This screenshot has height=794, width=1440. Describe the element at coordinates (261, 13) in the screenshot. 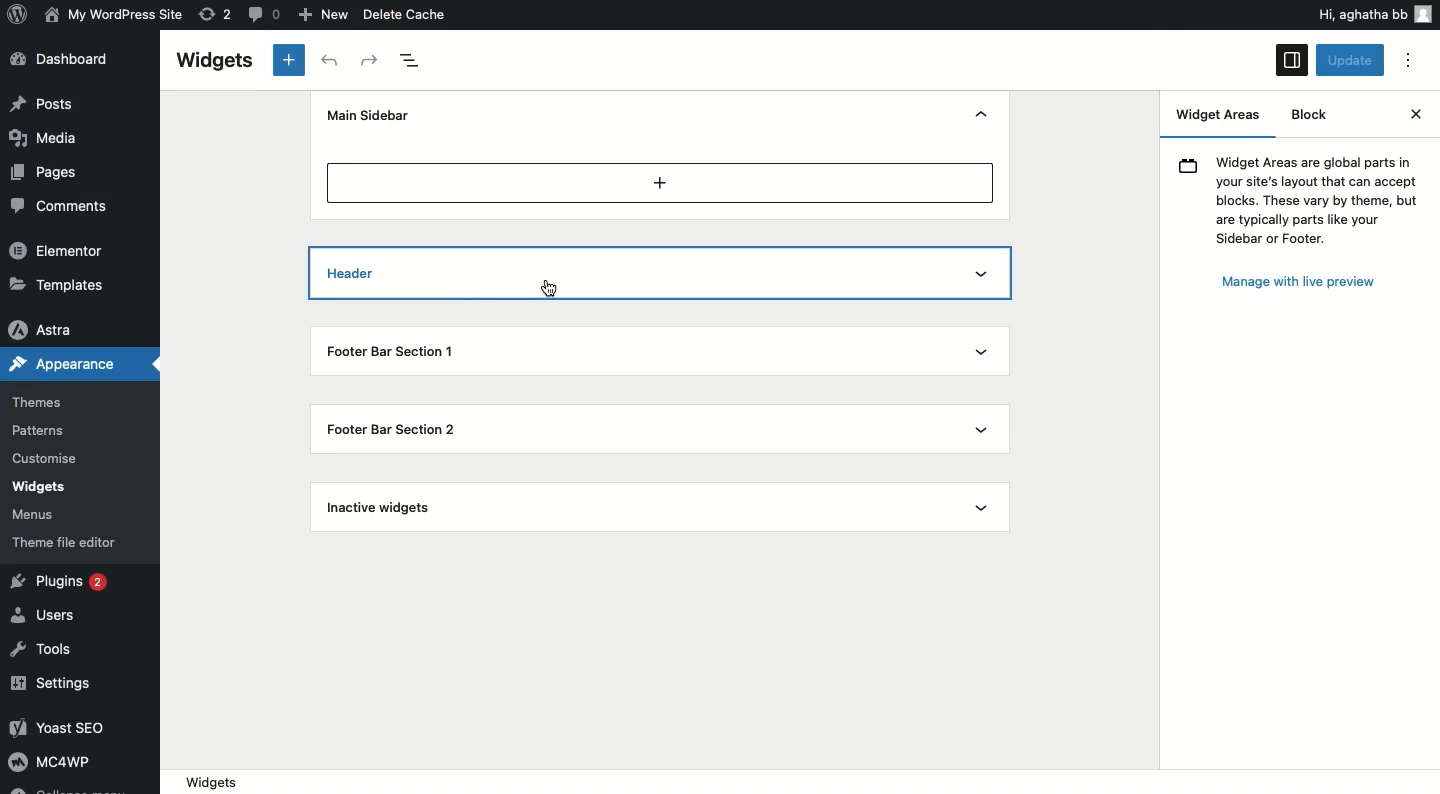

I see `Comment` at that location.